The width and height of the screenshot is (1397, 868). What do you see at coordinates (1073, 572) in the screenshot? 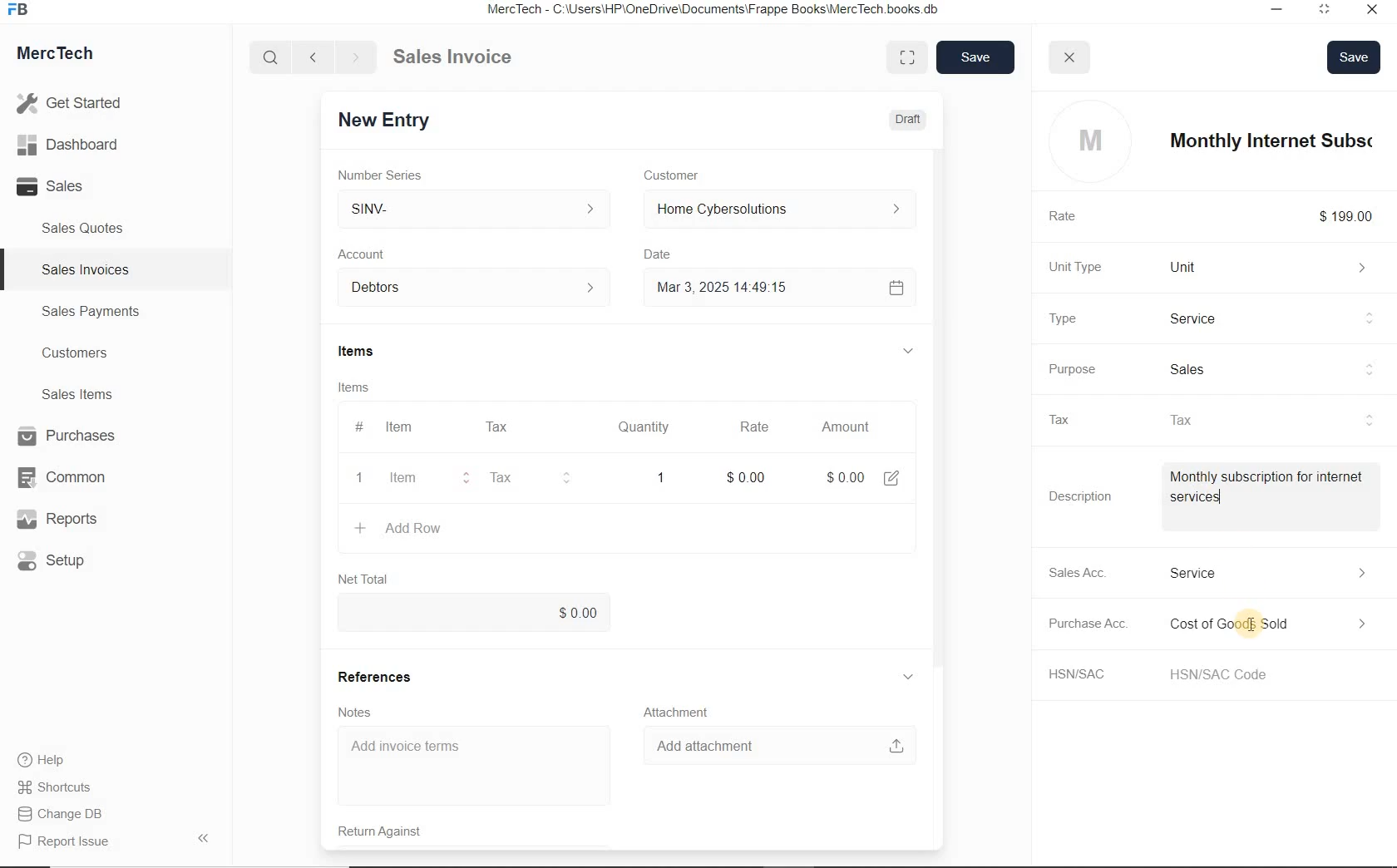
I see `Sales Acc.` at bounding box center [1073, 572].